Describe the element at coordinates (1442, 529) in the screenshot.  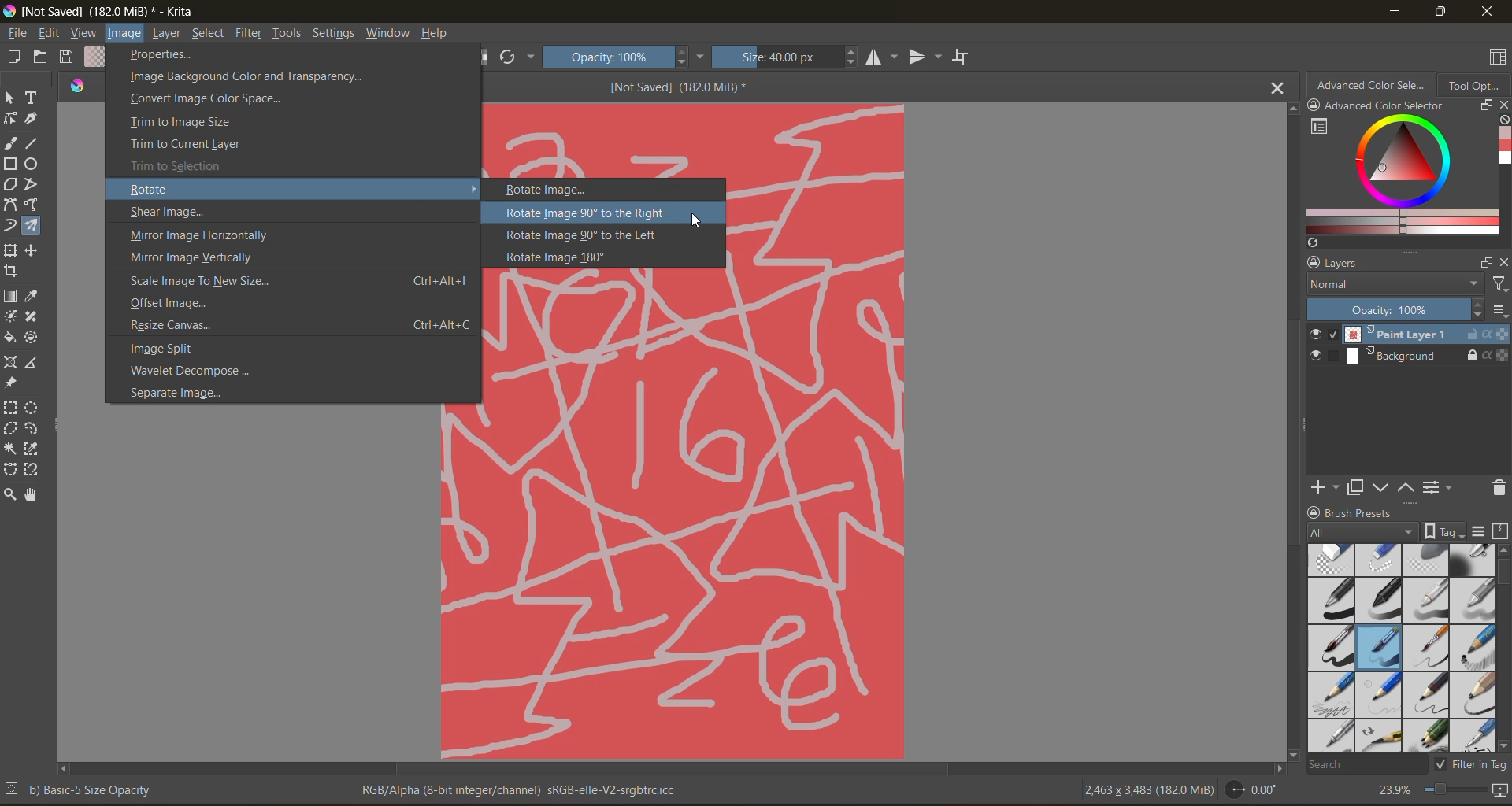
I see `show tag box` at that location.